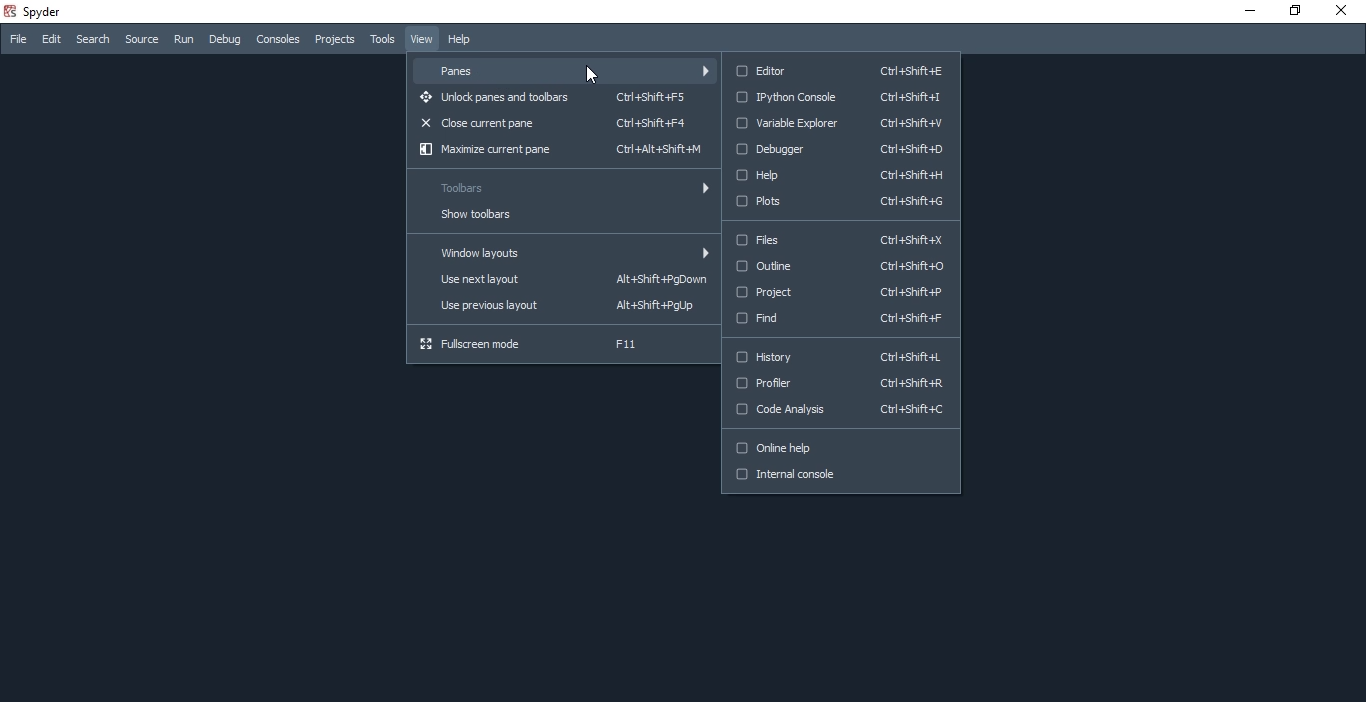 This screenshot has height=702, width=1366. Describe the element at coordinates (1344, 14) in the screenshot. I see `close` at that location.